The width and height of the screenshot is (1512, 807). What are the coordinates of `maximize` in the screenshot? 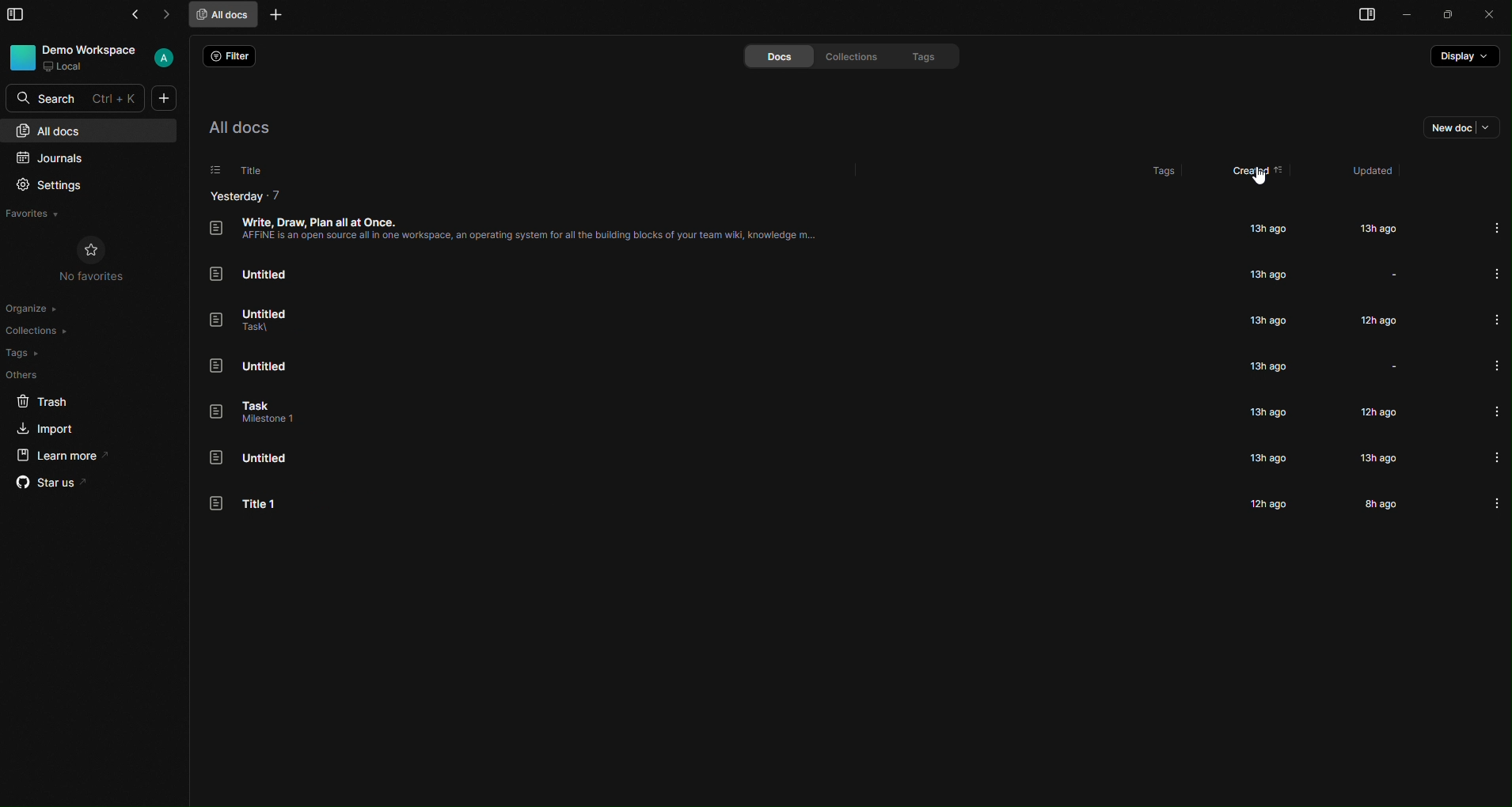 It's located at (1446, 16).